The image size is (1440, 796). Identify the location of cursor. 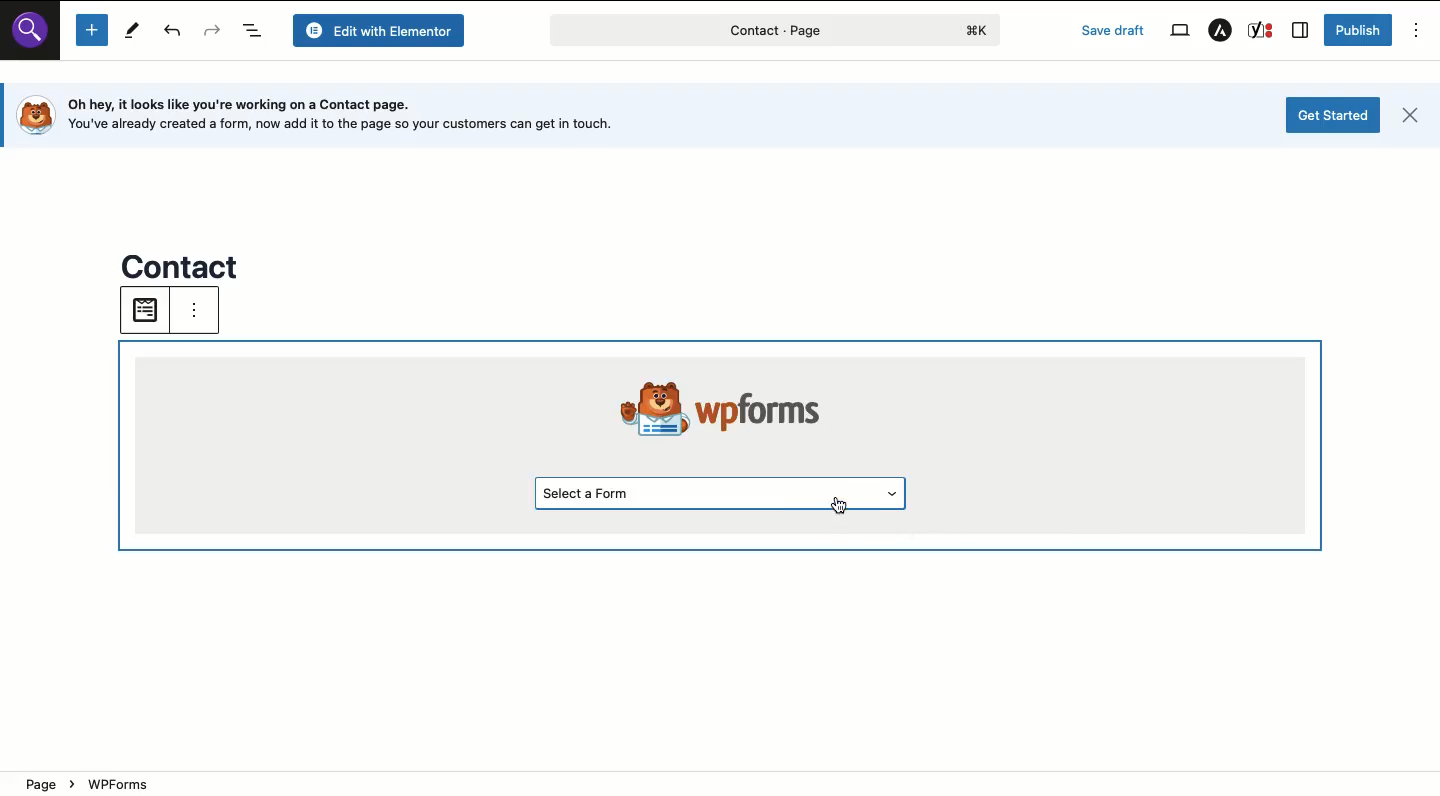
(840, 511).